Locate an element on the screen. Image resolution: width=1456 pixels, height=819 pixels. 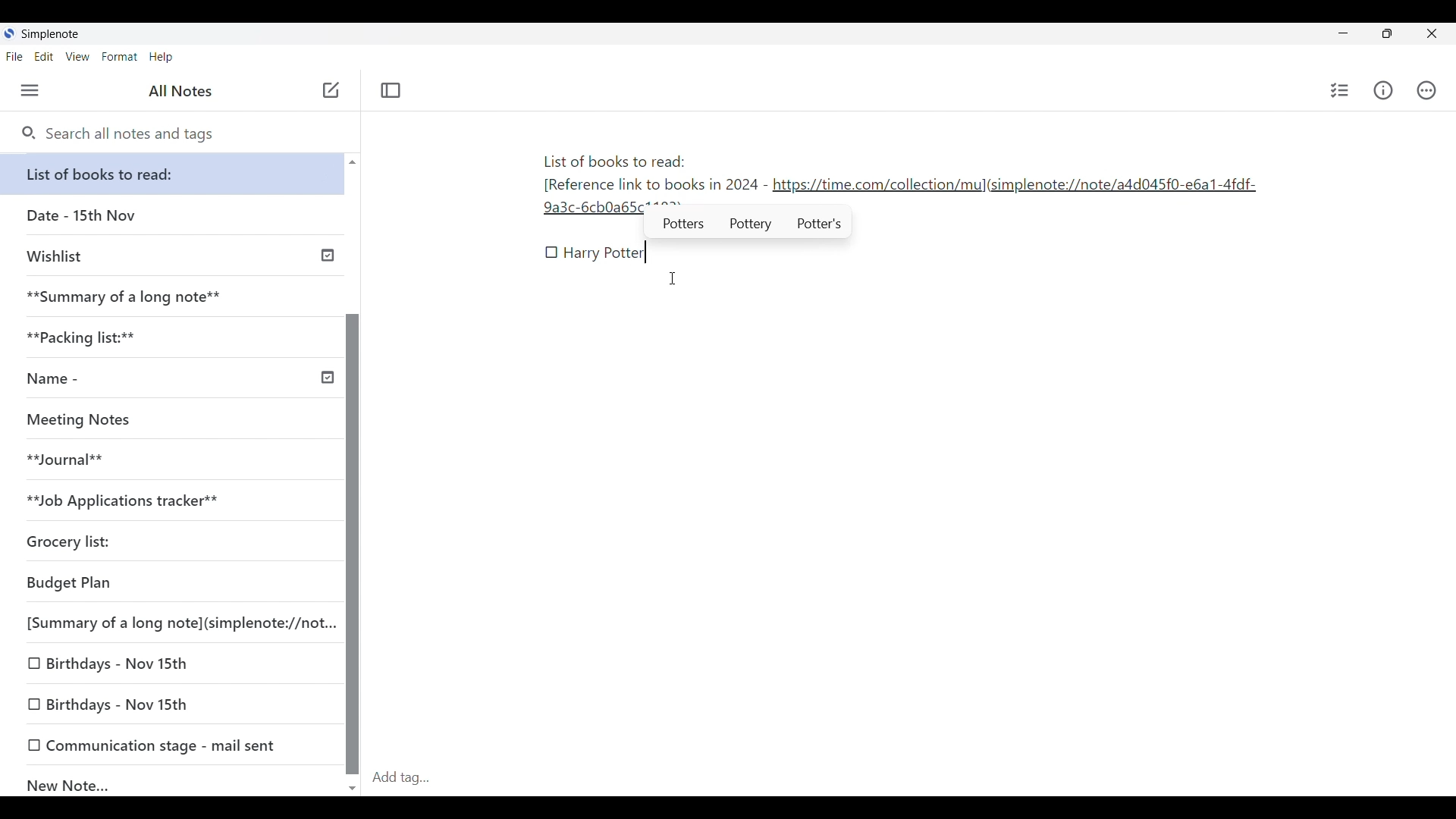
New Note... is located at coordinates (174, 782).